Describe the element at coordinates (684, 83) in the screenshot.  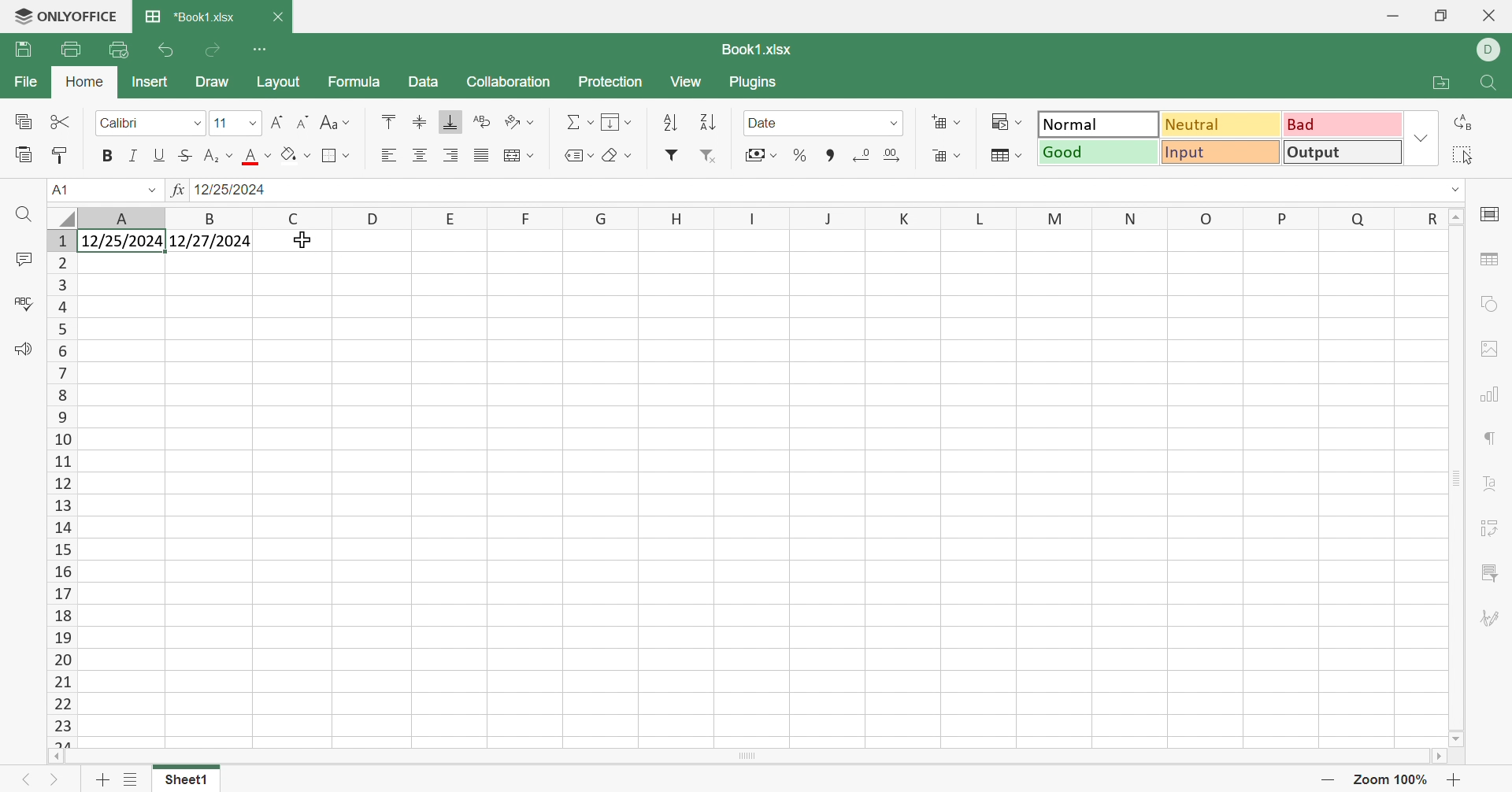
I see `View` at that location.